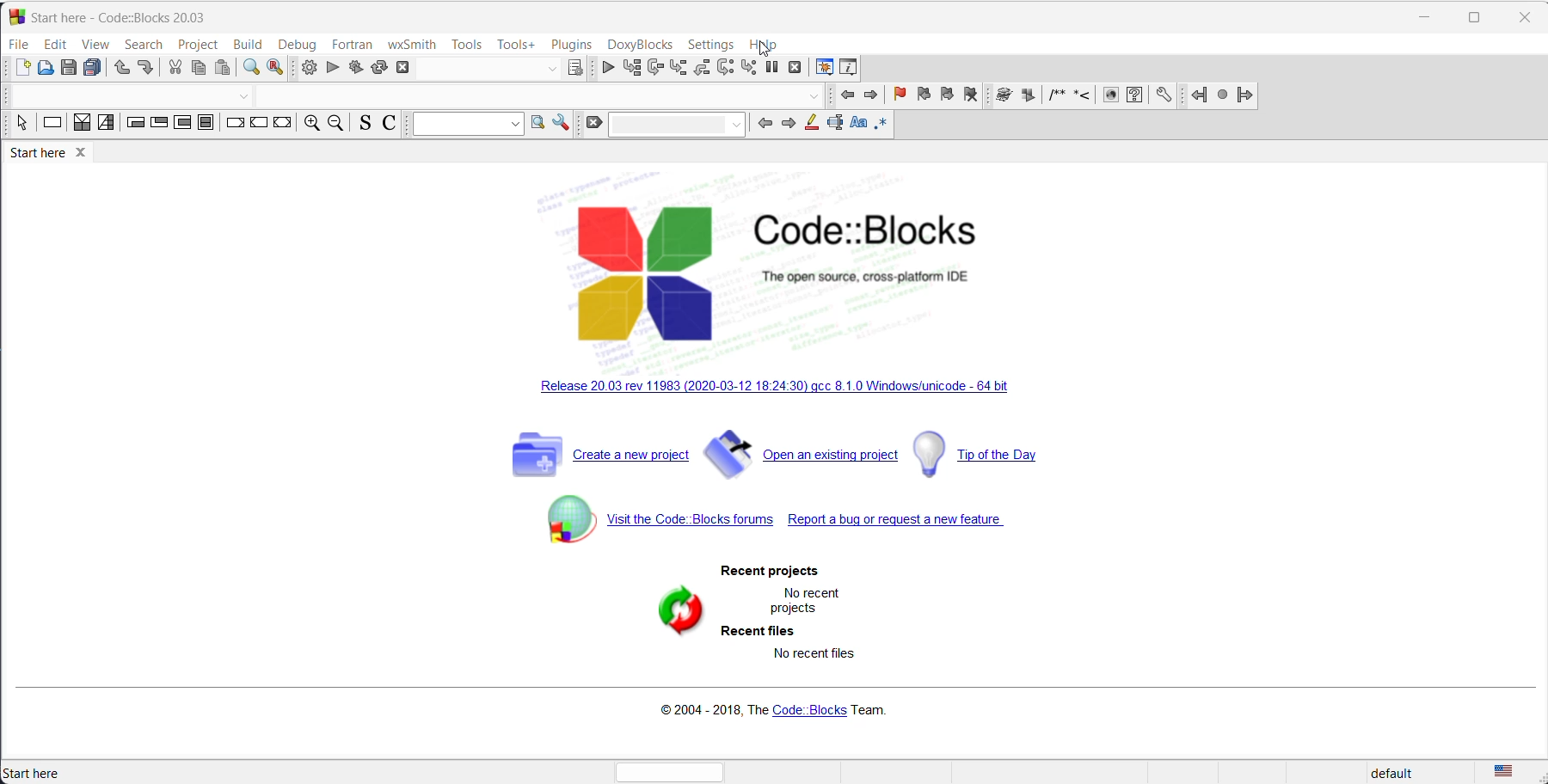  What do you see at coordinates (236, 126) in the screenshot?
I see `break instruction` at bounding box center [236, 126].